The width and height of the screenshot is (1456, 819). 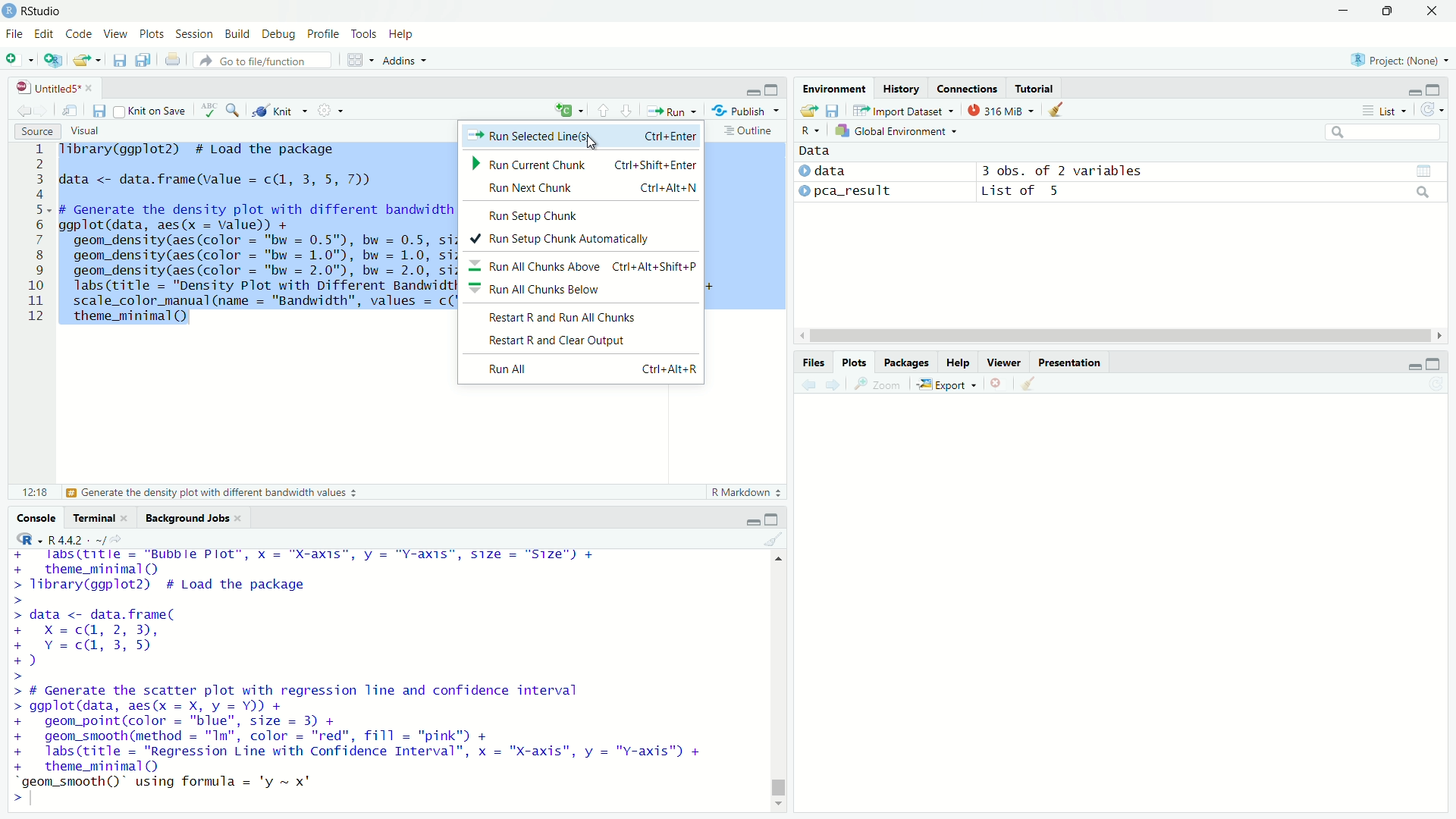 What do you see at coordinates (1436, 384) in the screenshot?
I see `Refresh current plot` at bounding box center [1436, 384].